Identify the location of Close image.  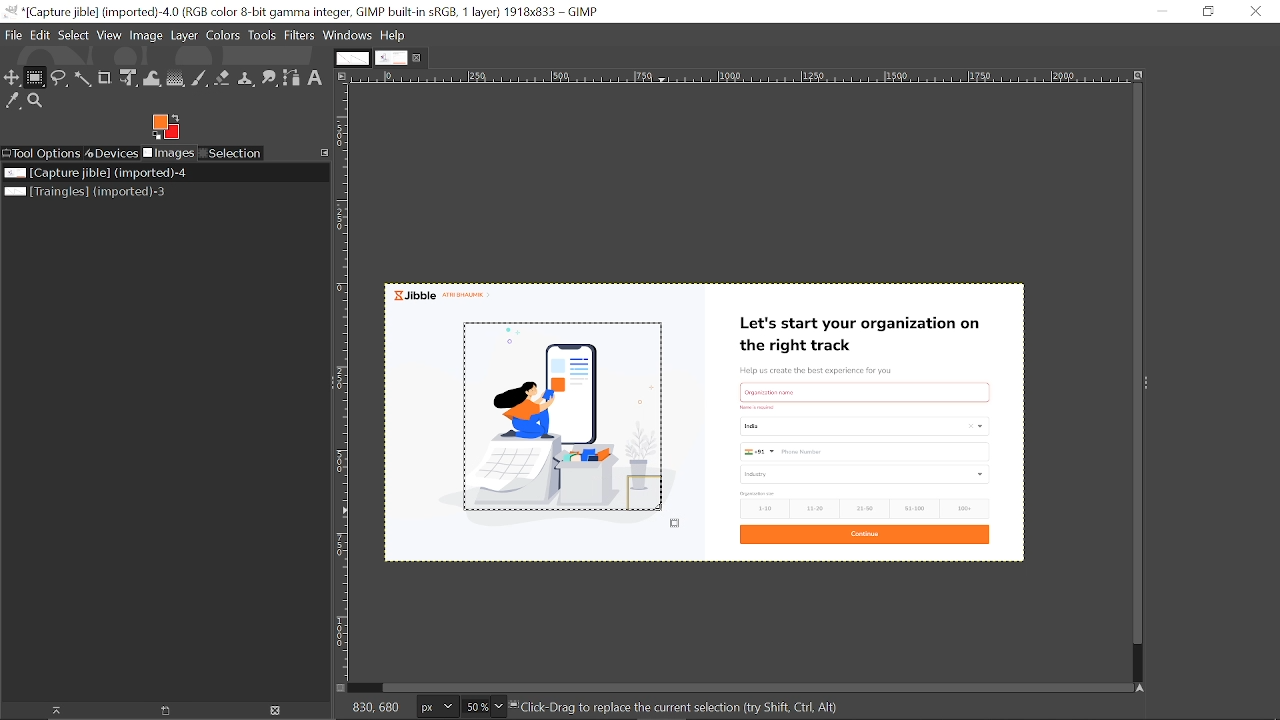
(278, 710).